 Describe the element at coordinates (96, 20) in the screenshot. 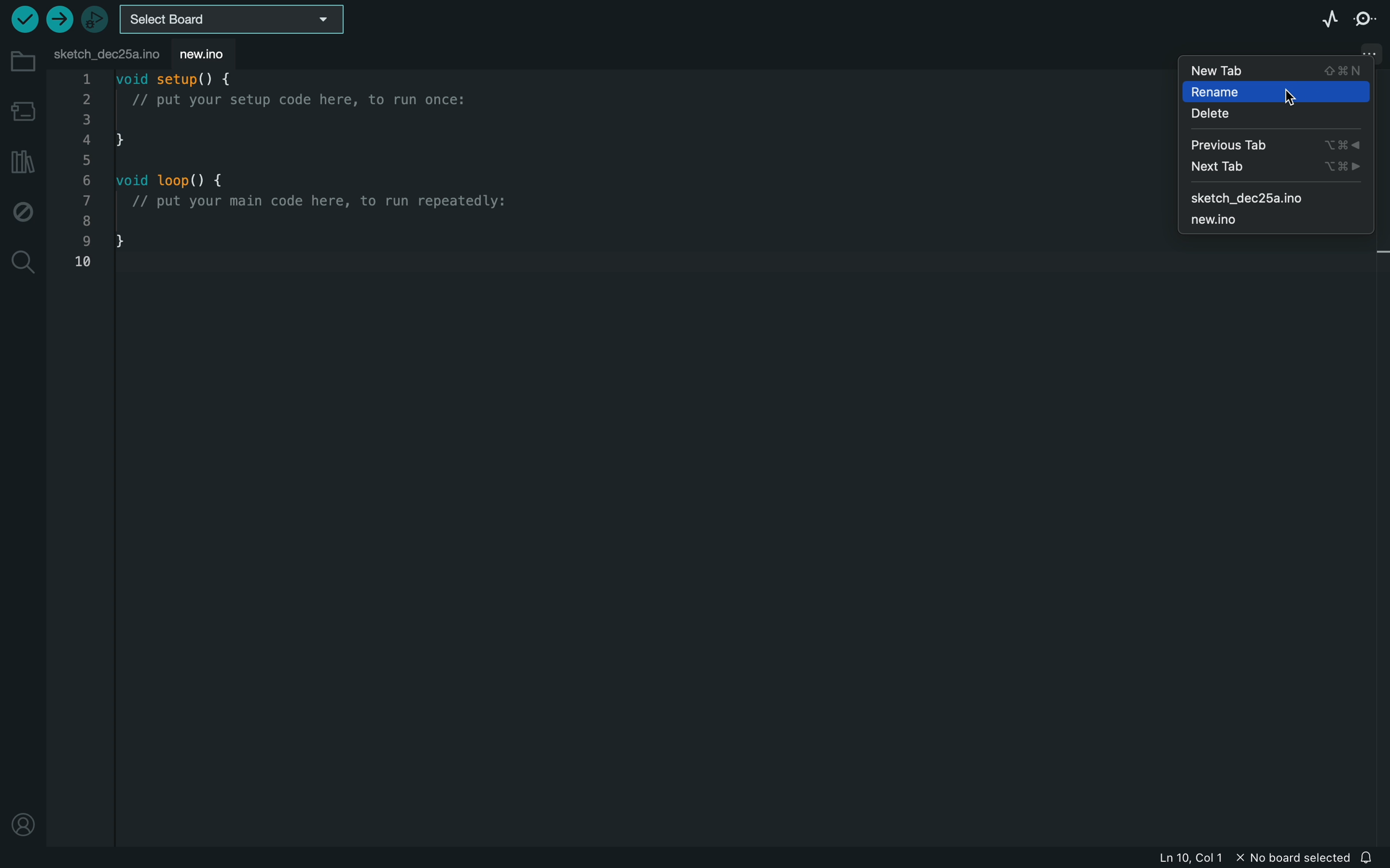

I see `debugger` at that location.